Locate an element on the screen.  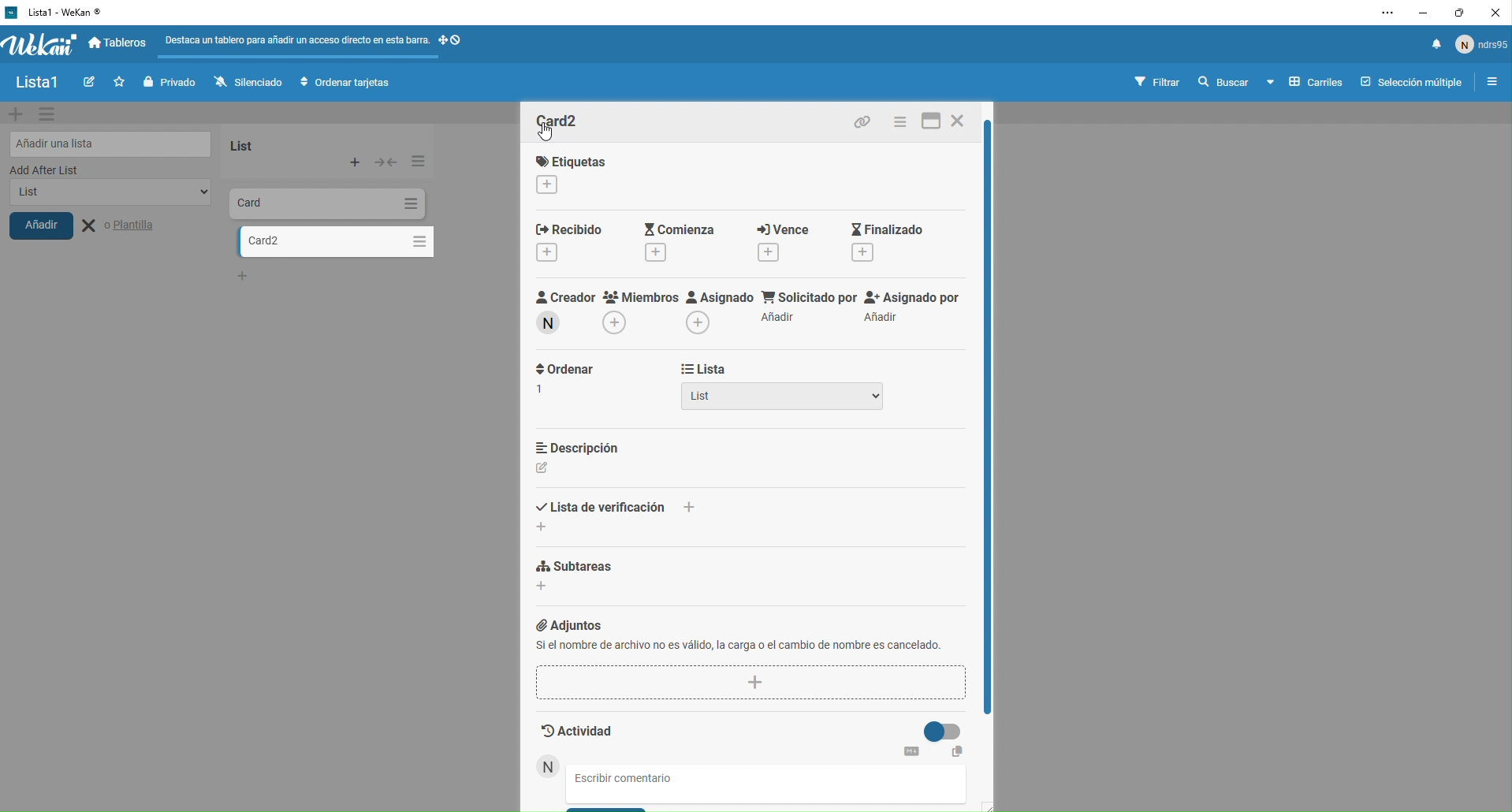
Destaca un tablero para afadir un acceso directo en esta bar is located at coordinates (296, 39).